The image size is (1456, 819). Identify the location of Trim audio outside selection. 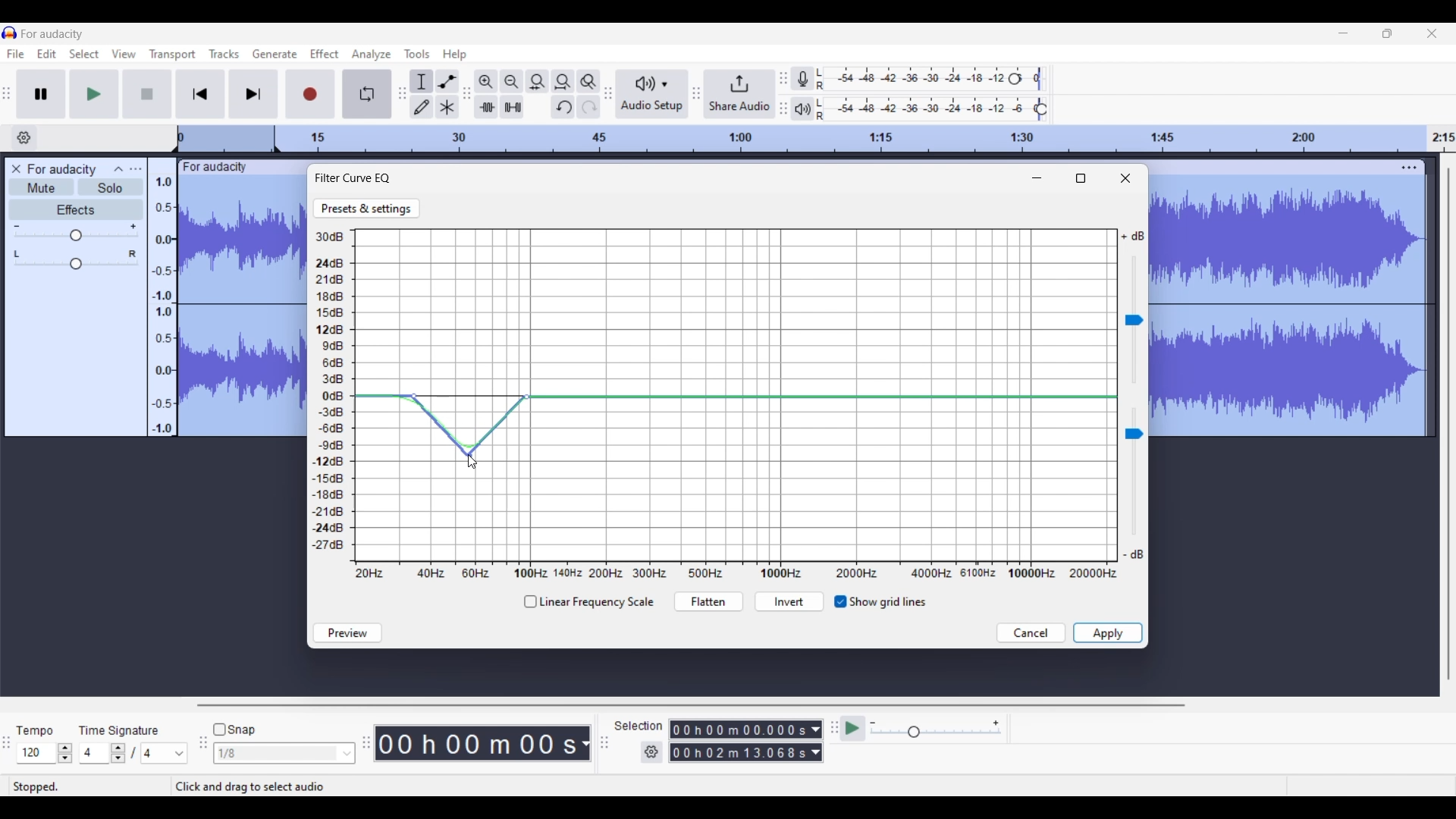
(486, 106).